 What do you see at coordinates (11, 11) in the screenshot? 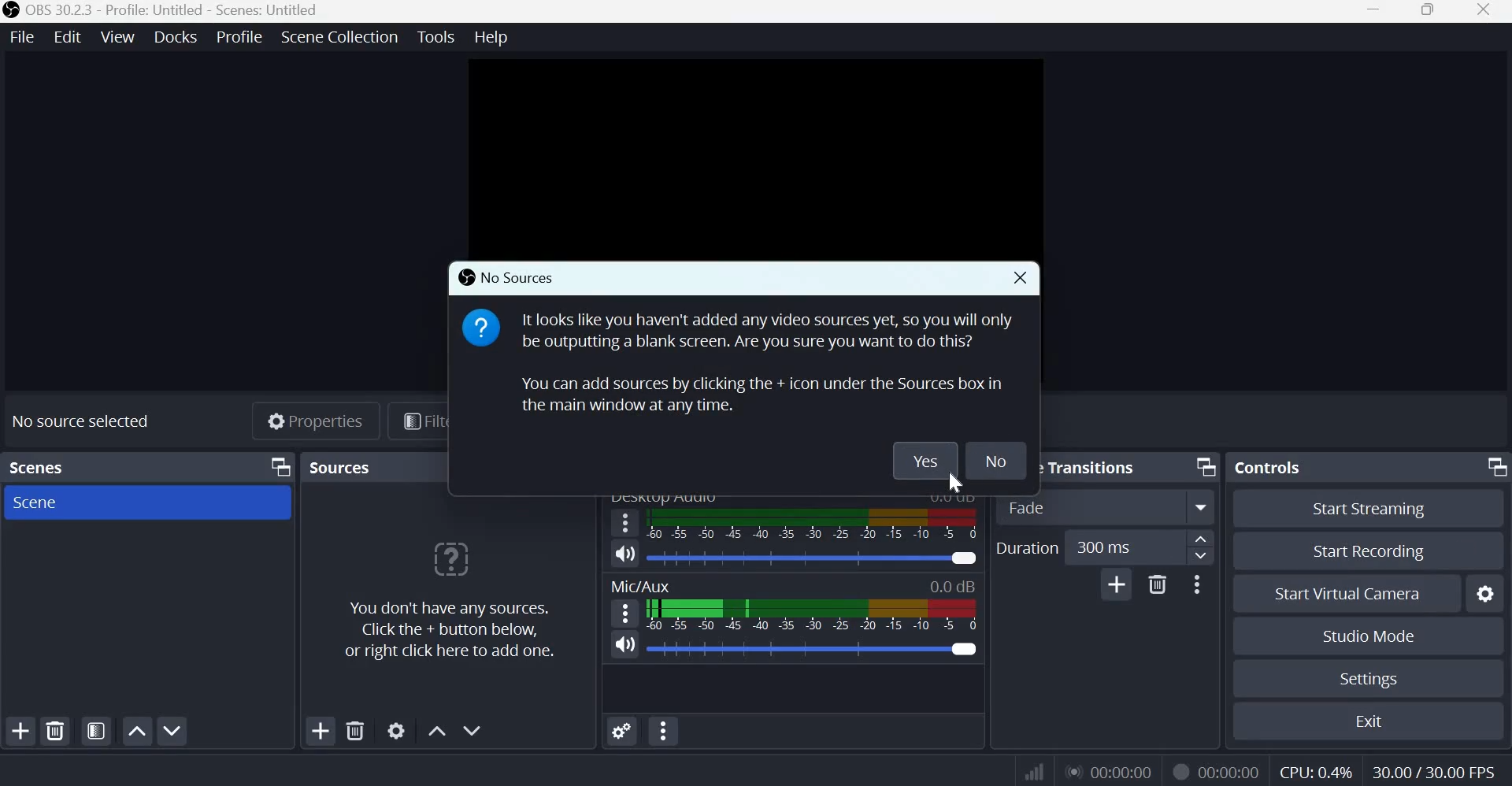
I see `Logo` at bounding box center [11, 11].